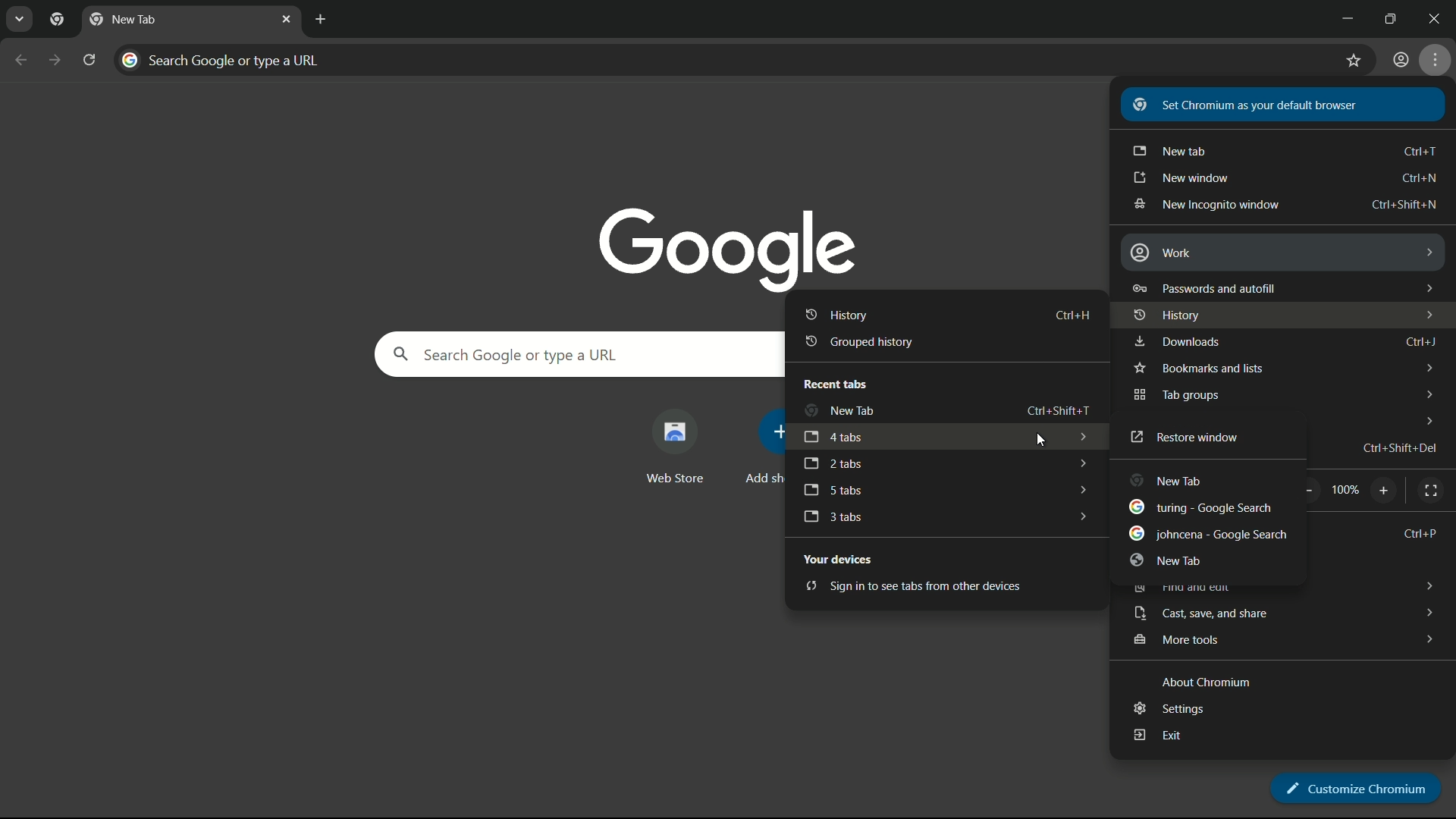 The height and width of the screenshot is (819, 1456). I want to click on dropdown arrows, so click(1428, 419).